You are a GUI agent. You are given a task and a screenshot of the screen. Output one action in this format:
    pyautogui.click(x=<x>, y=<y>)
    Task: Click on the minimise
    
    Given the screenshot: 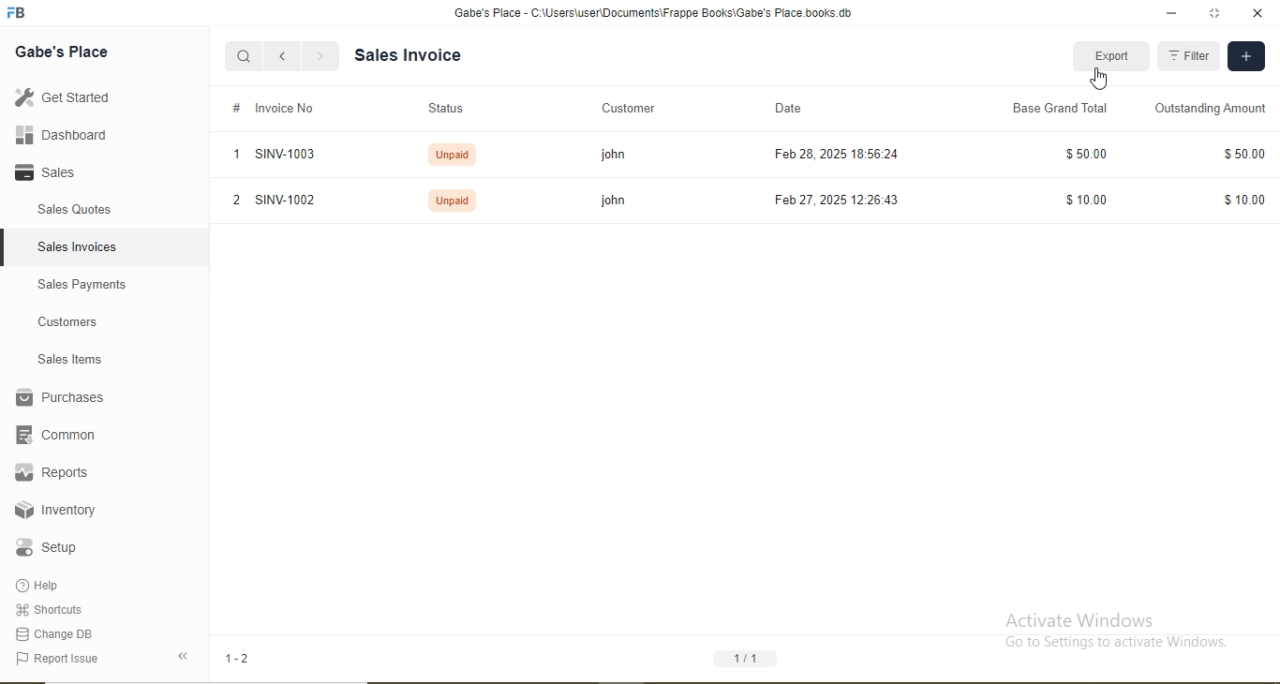 What is the action you would take?
    pyautogui.click(x=1171, y=12)
    